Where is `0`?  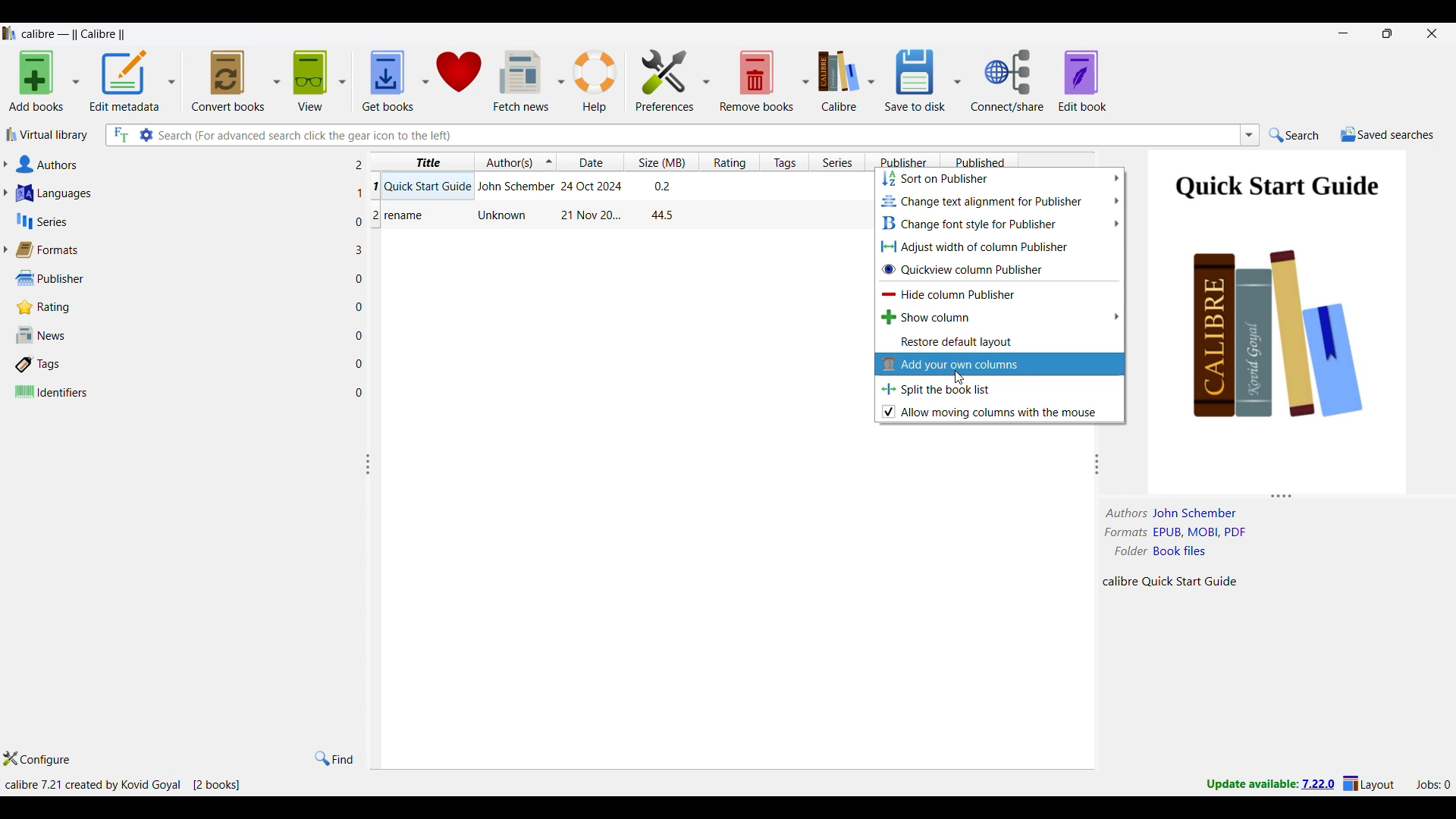
0 is located at coordinates (362, 362).